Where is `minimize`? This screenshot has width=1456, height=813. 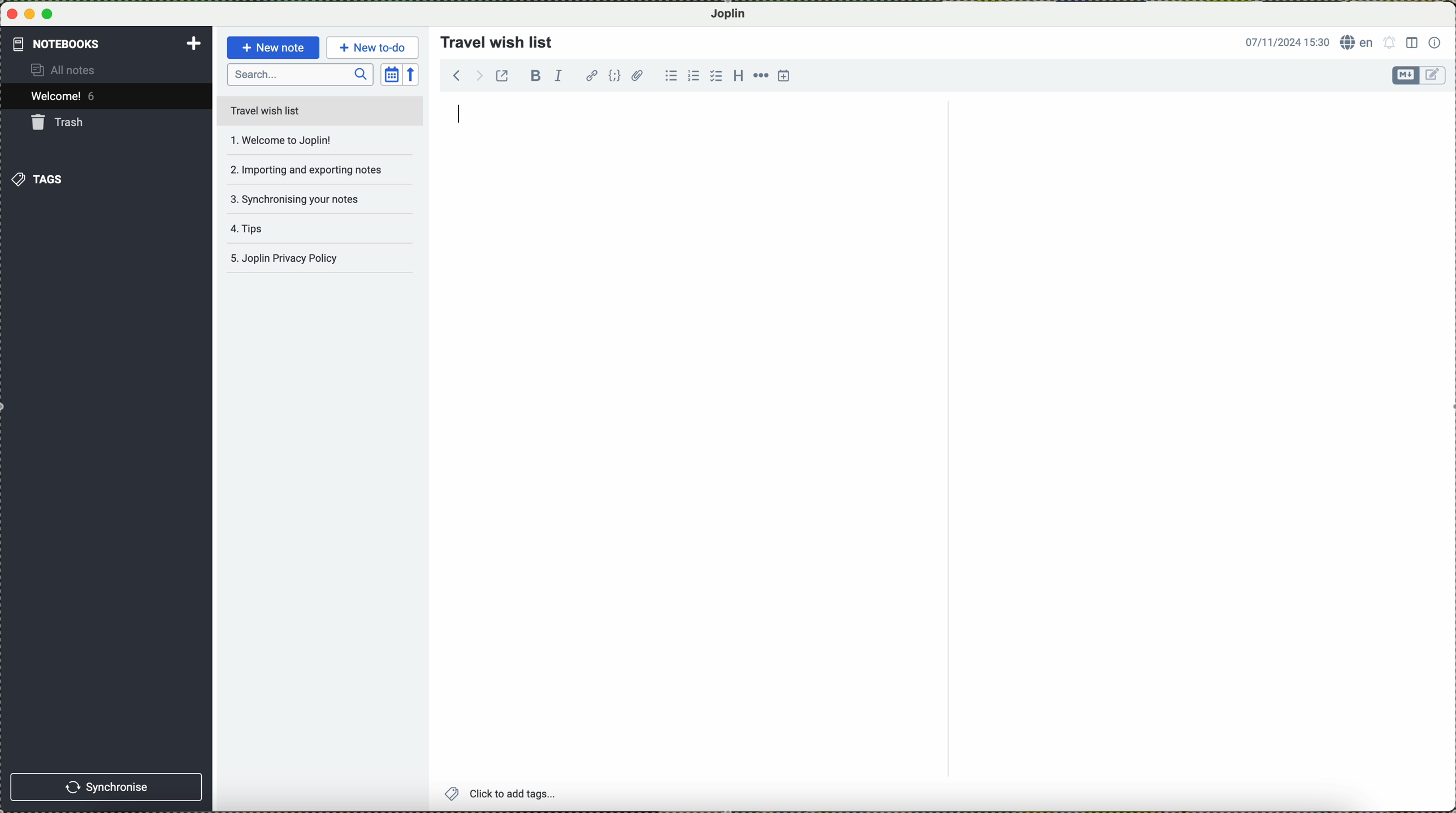
minimize is located at coordinates (31, 14).